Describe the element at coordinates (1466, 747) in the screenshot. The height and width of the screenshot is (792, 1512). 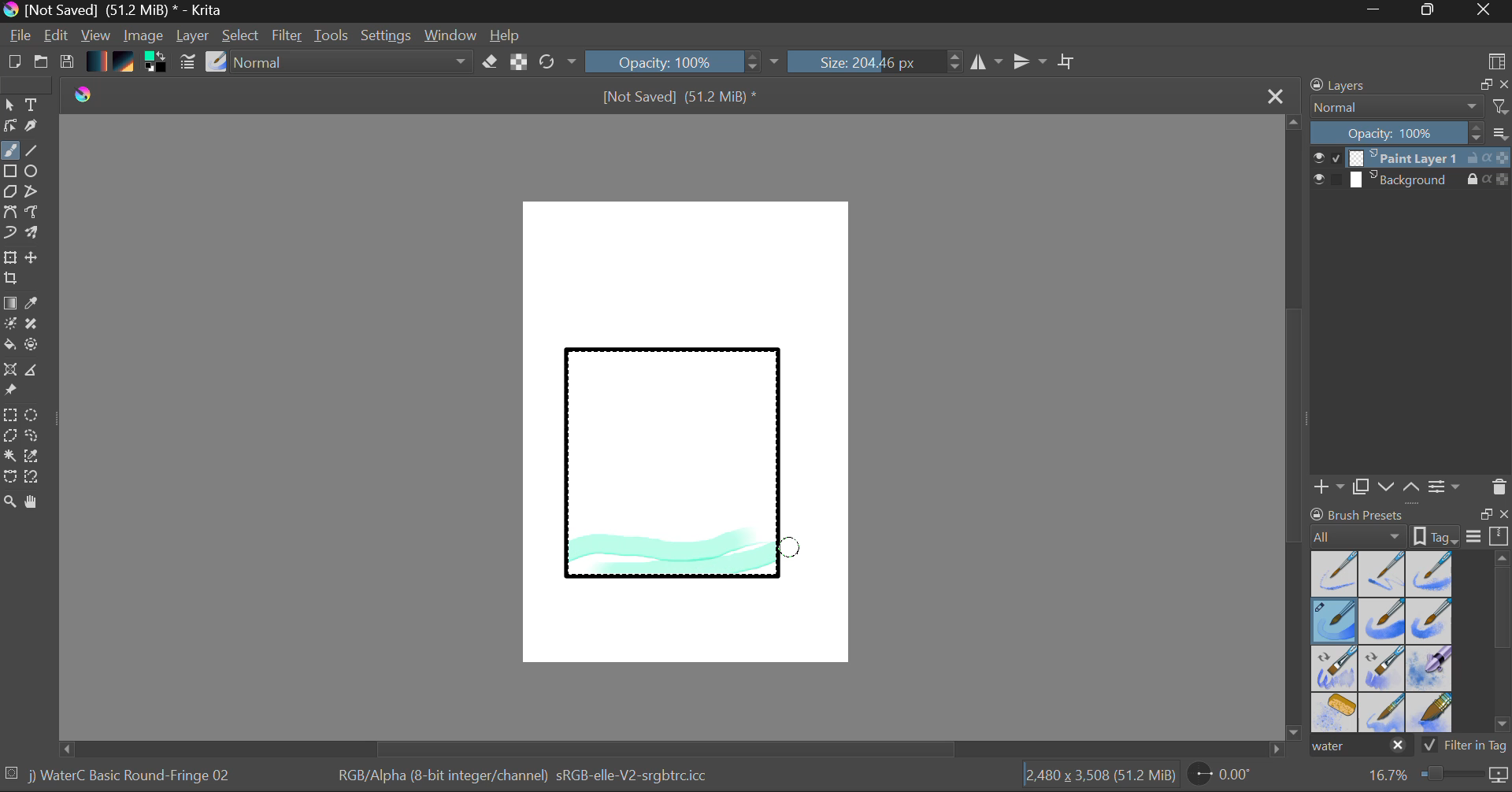
I see `Filter in Tag Option` at that location.